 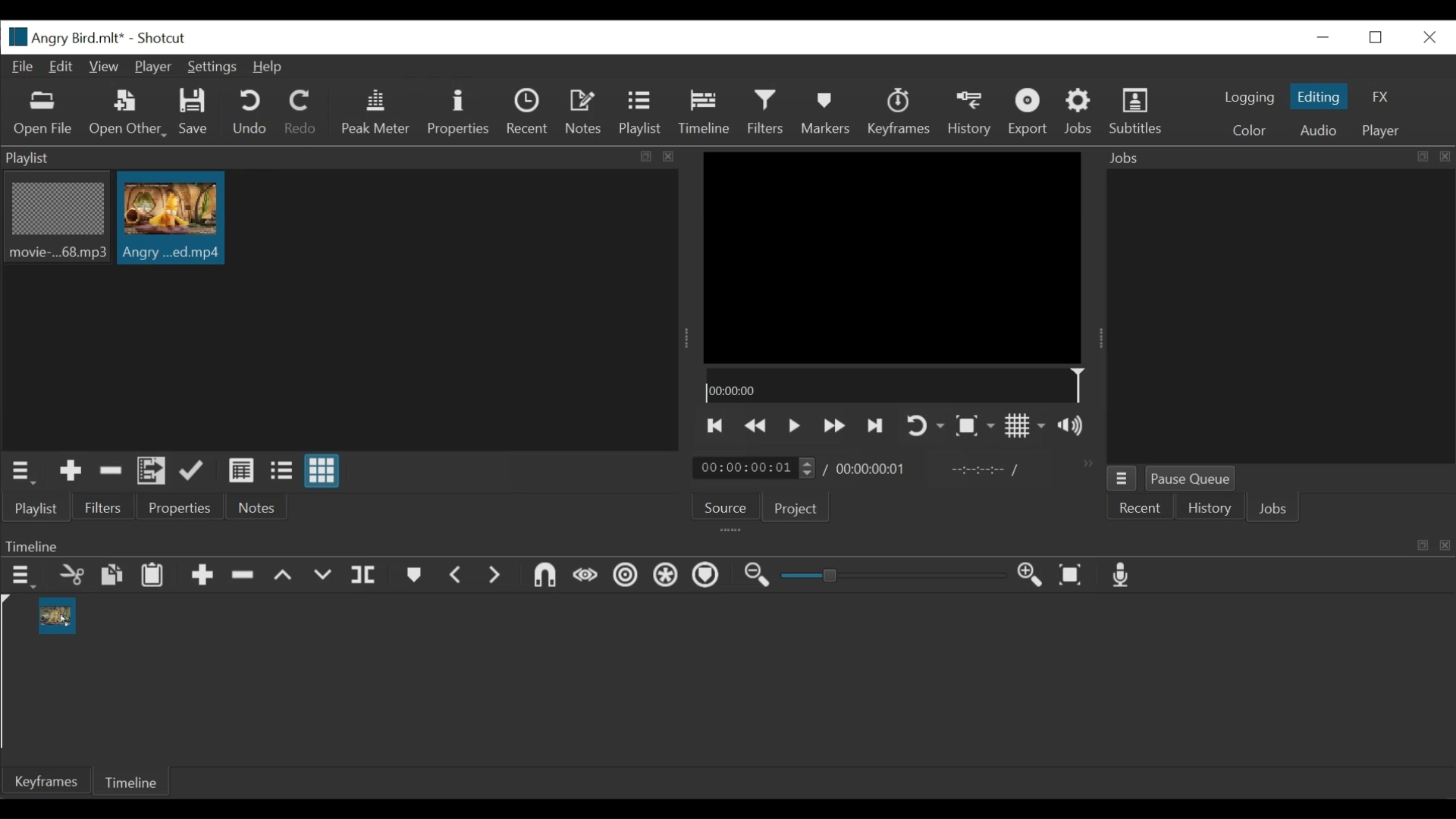 What do you see at coordinates (240, 471) in the screenshot?
I see `View as detail` at bounding box center [240, 471].